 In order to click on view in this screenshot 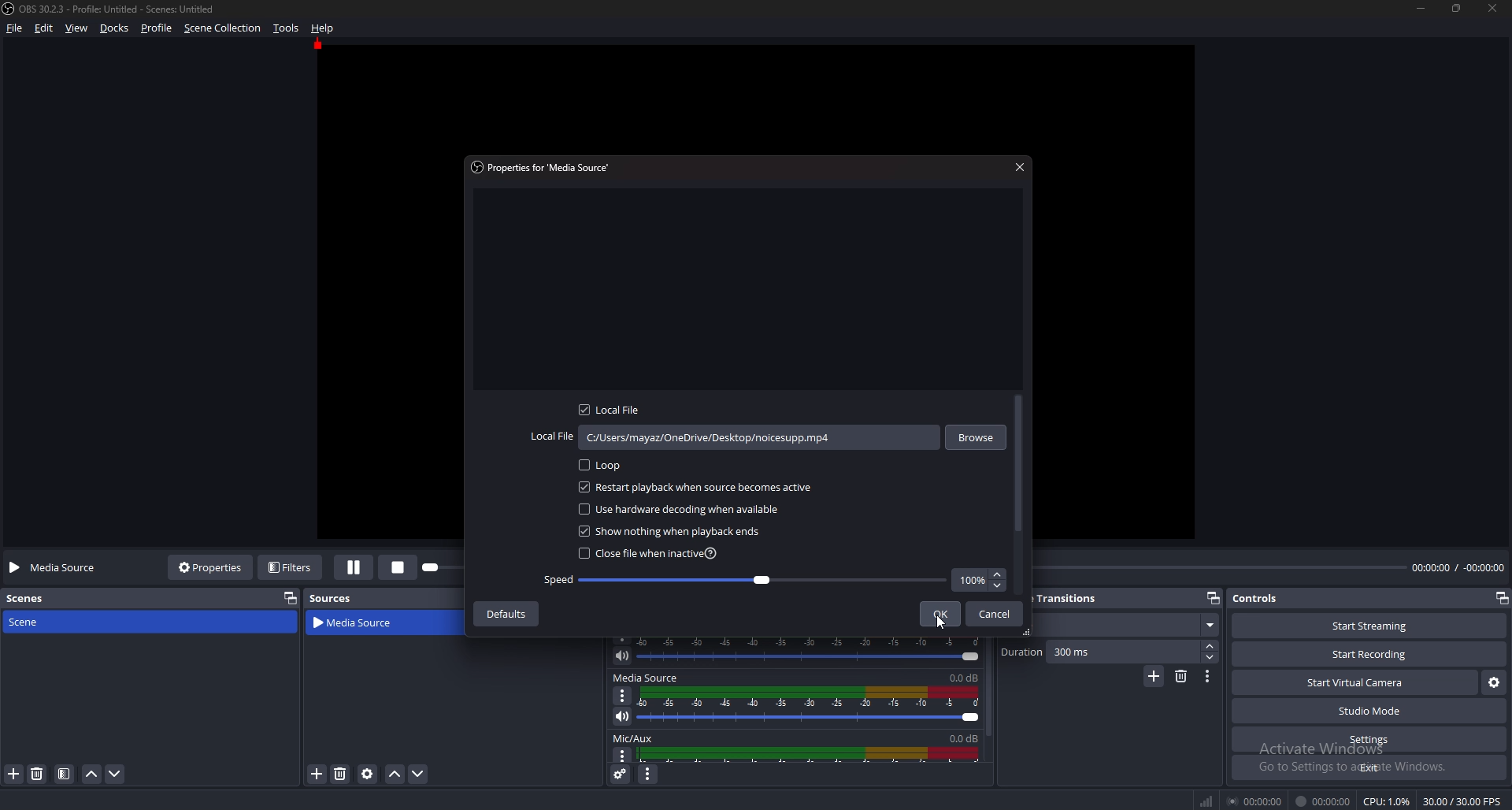, I will do `click(77, 29)`.